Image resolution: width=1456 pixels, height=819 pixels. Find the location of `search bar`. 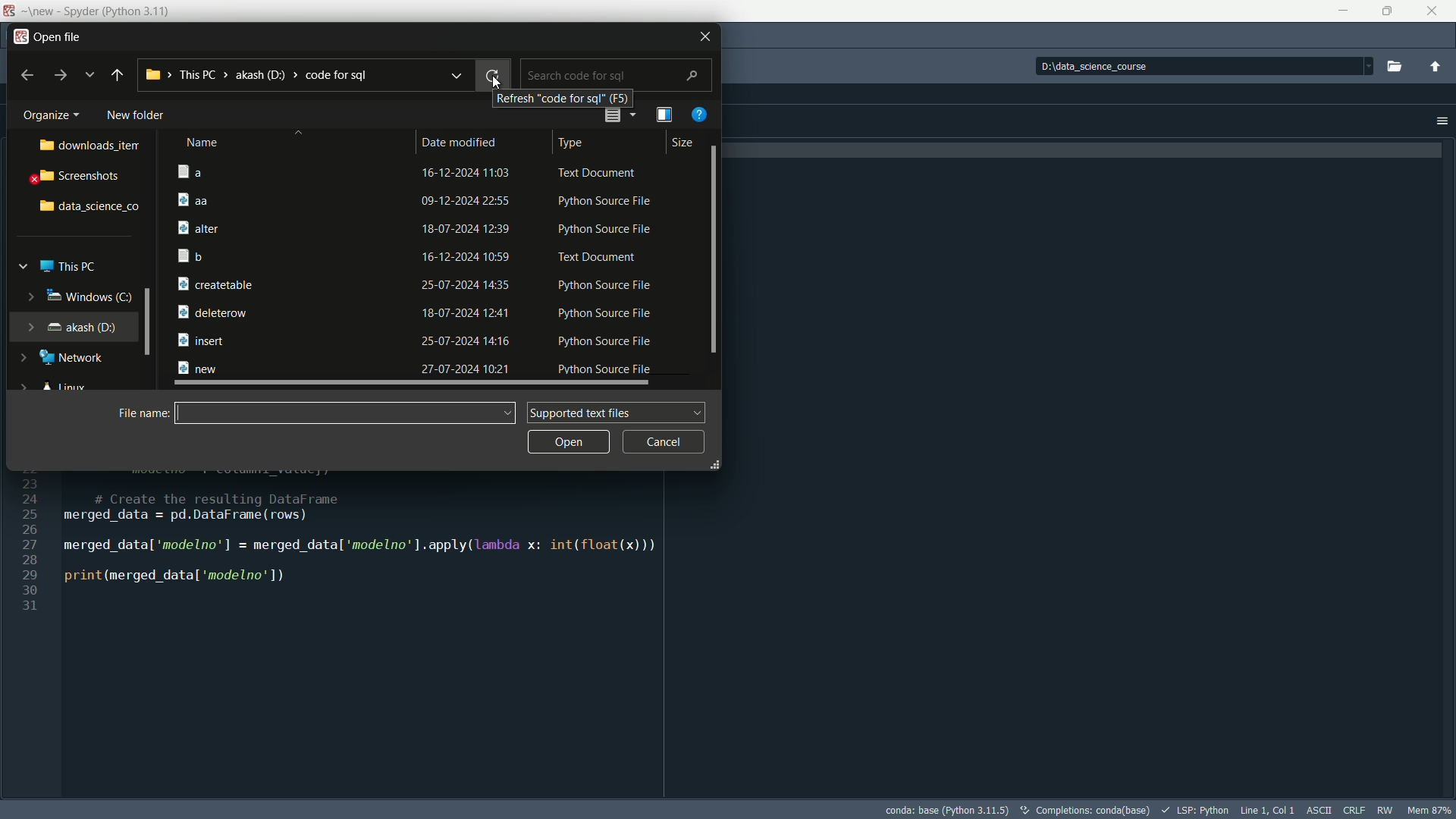

search bar is located at coordinates (616, 74).